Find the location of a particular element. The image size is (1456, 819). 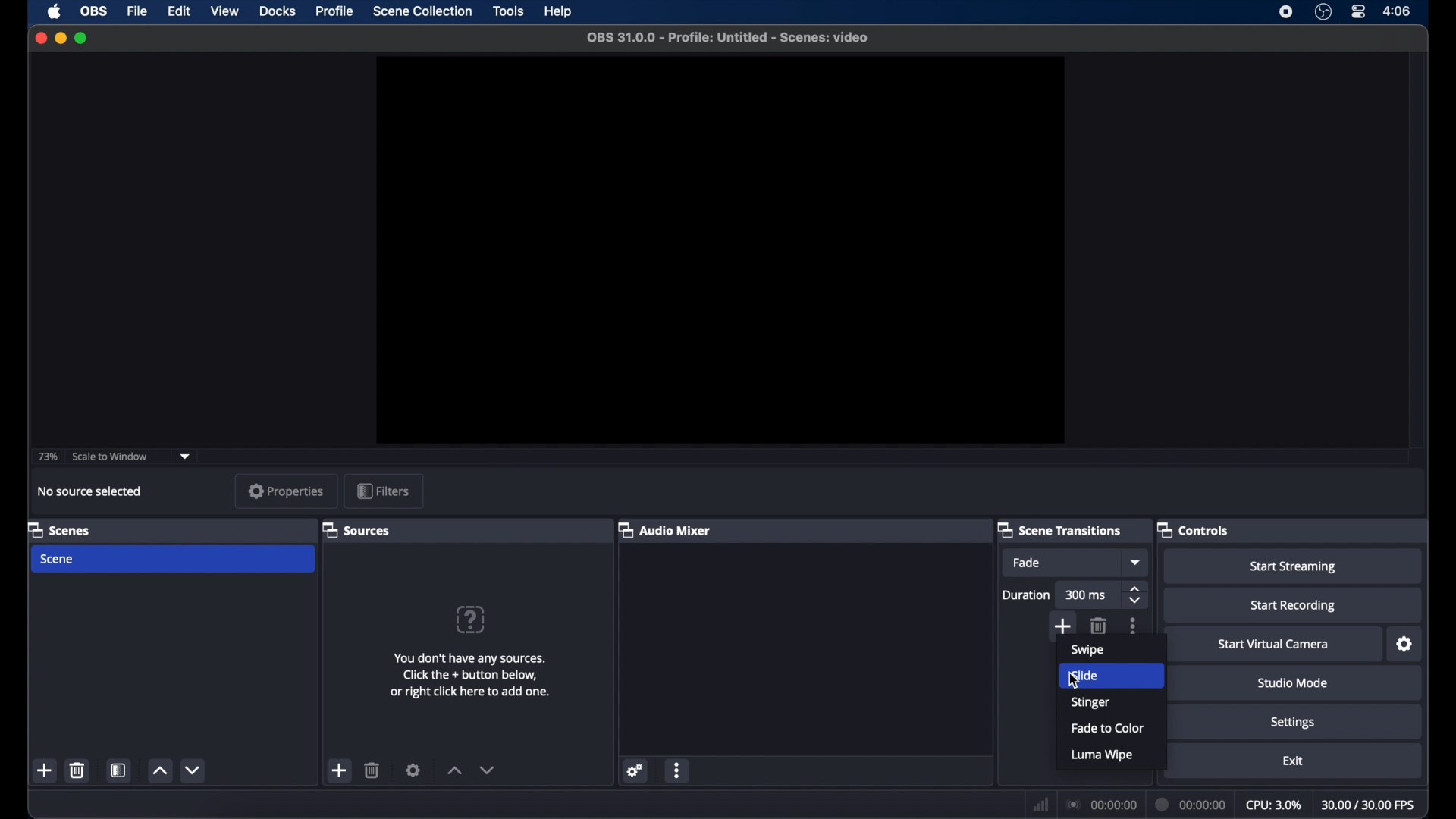

add is located at coordinates (1062, 625).